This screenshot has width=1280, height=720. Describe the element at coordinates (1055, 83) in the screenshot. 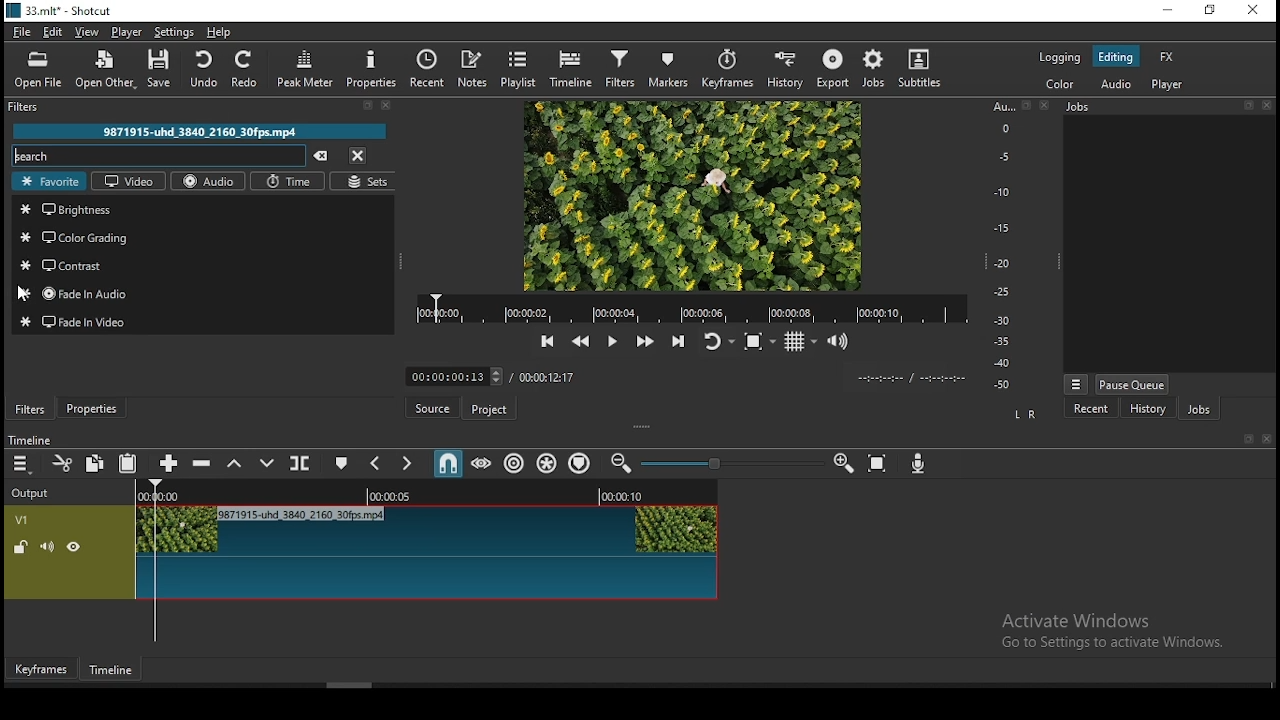

I see `color` at that location.